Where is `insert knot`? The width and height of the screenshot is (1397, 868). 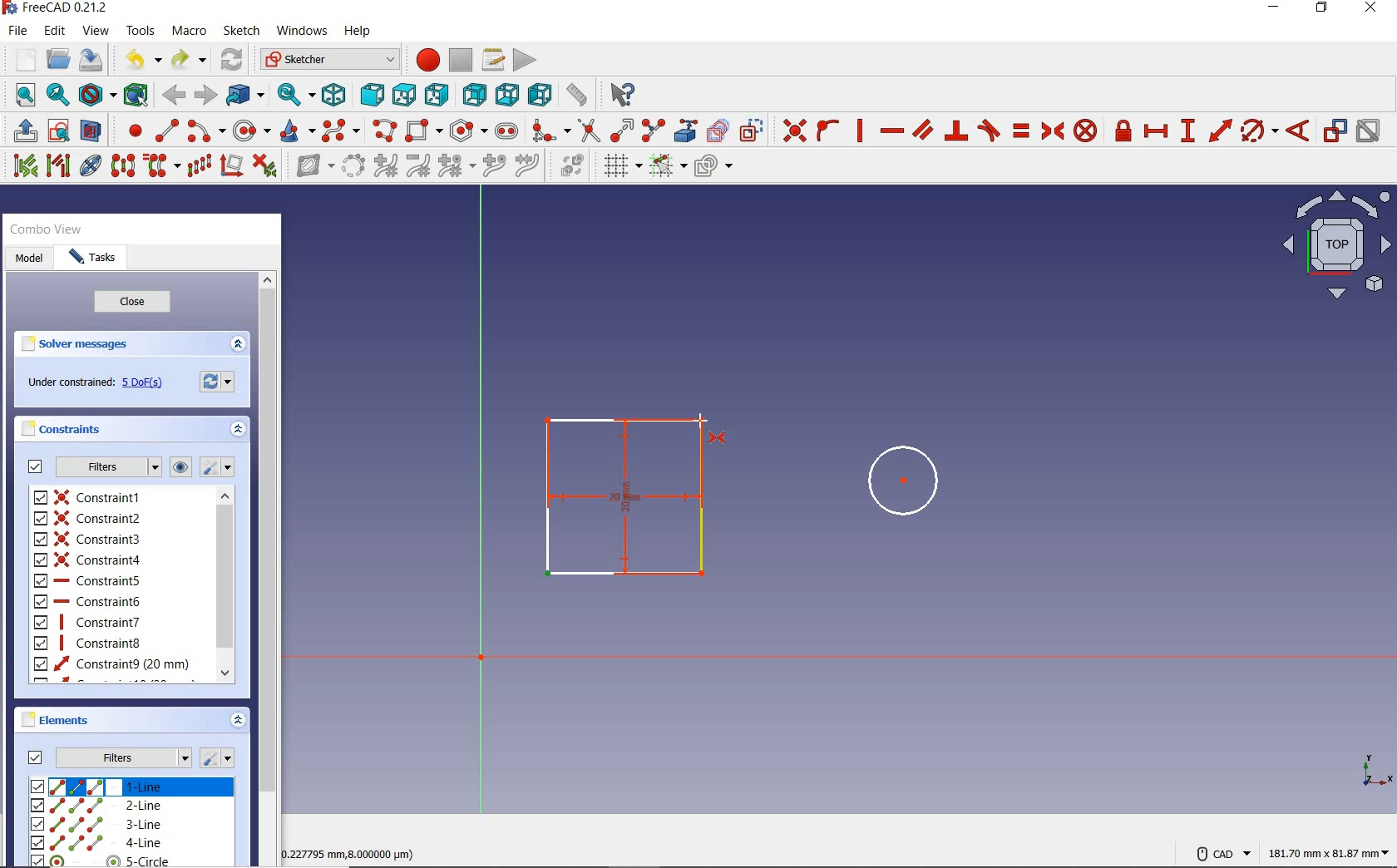 insert knot is located at coordinates (493, 167).